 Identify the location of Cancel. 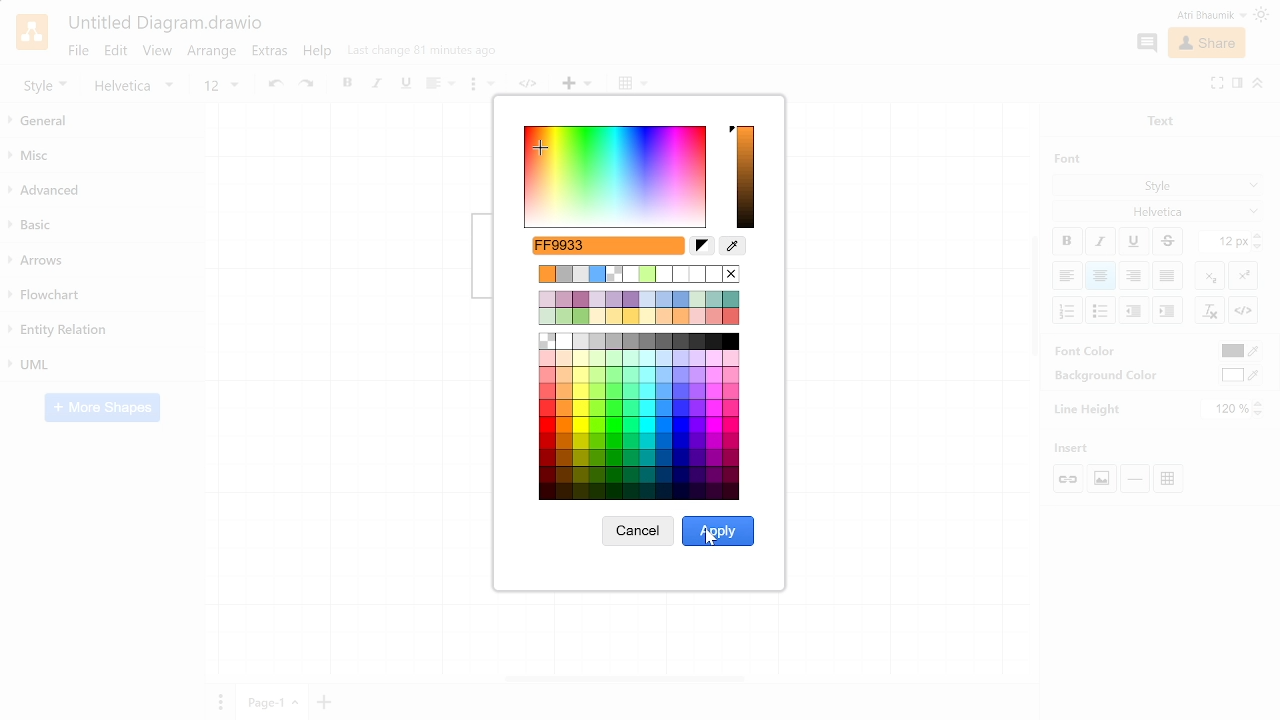
(637, 535).